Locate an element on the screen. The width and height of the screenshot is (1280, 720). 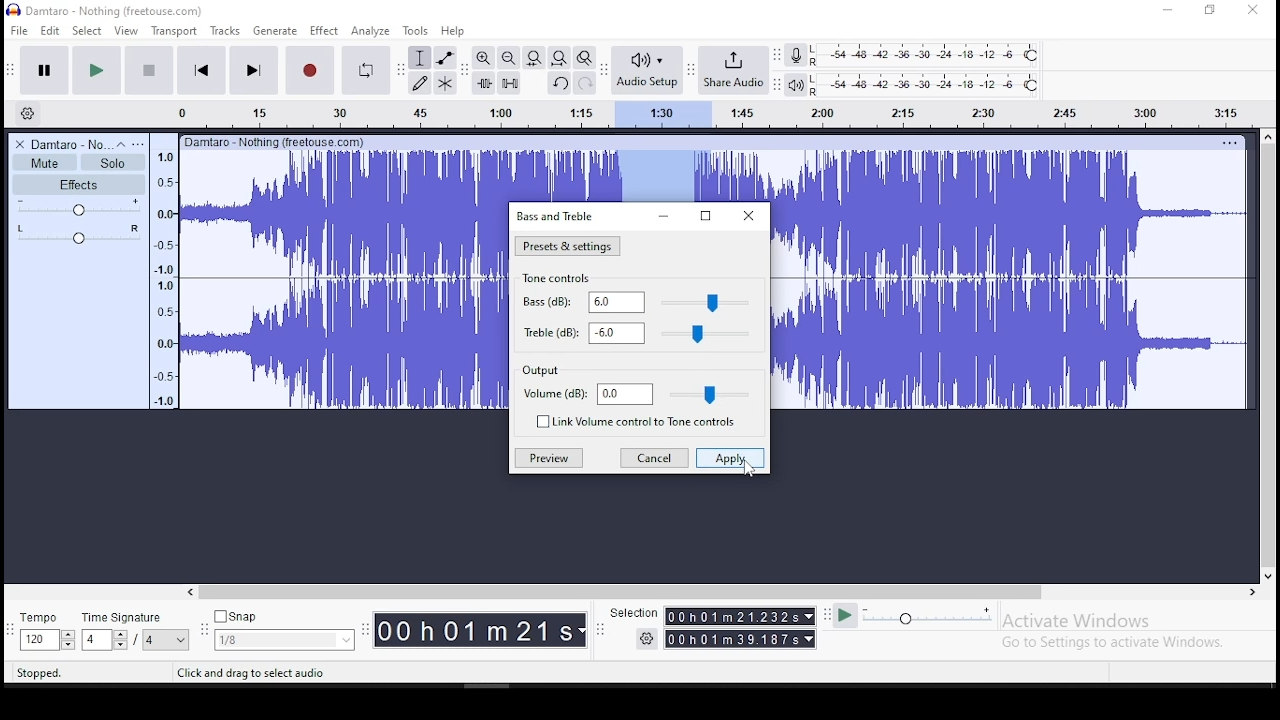
mute is located at coordinates (44, 163).